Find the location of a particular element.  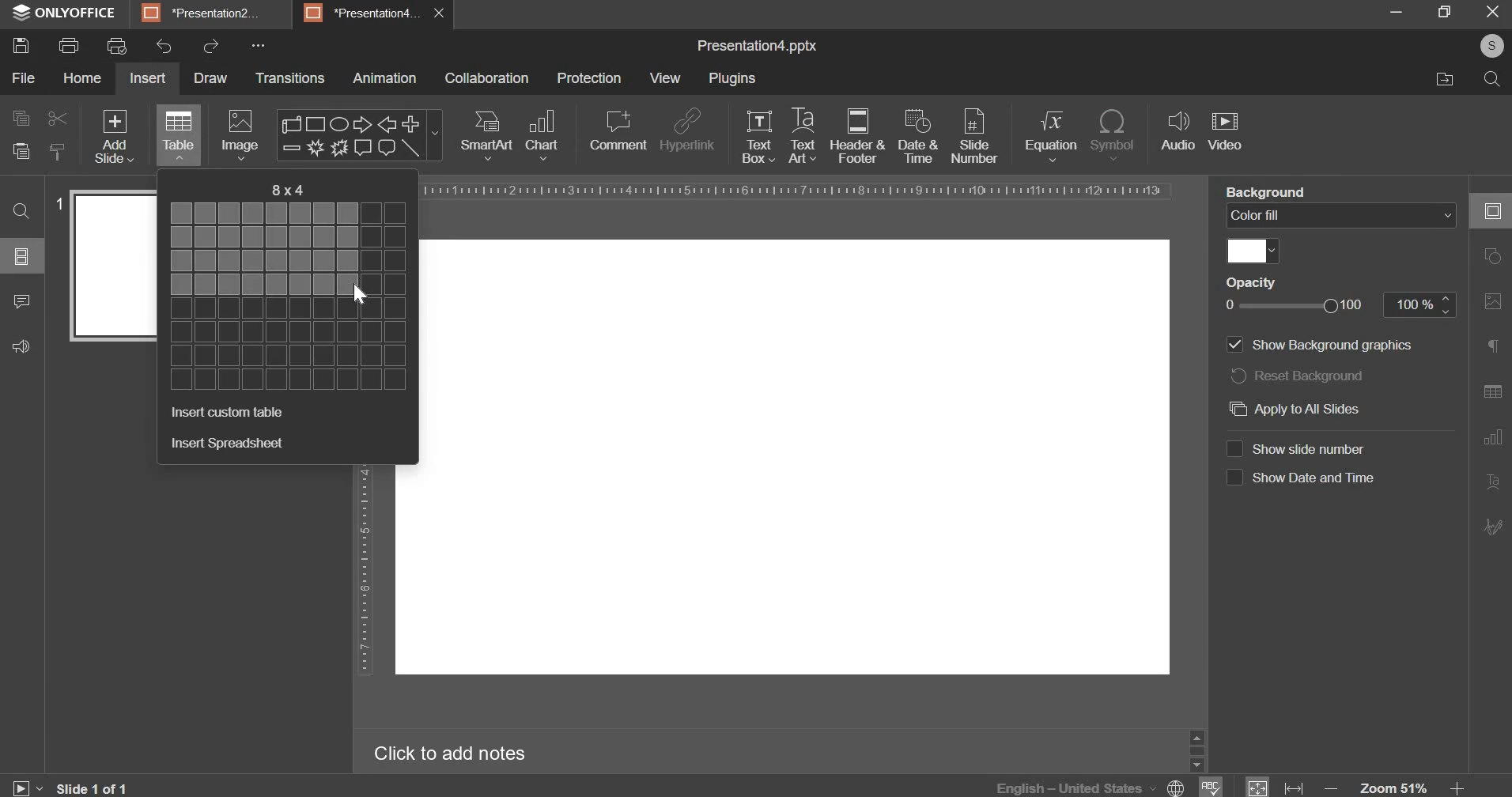

zoom out is located at coordinates (1331, 788).